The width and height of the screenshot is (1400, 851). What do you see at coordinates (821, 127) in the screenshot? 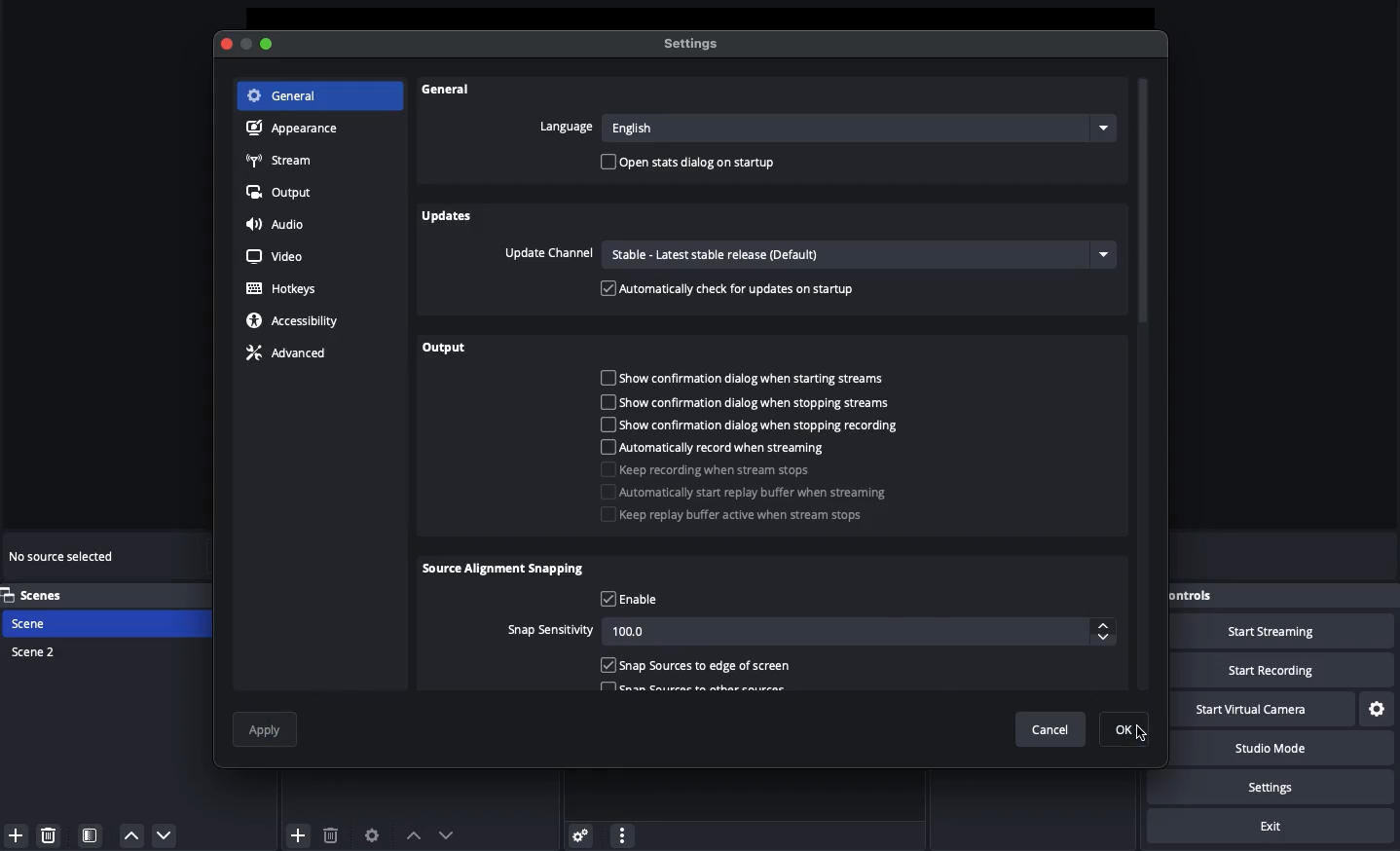
I see `Language` at bounding box center [821, 127].